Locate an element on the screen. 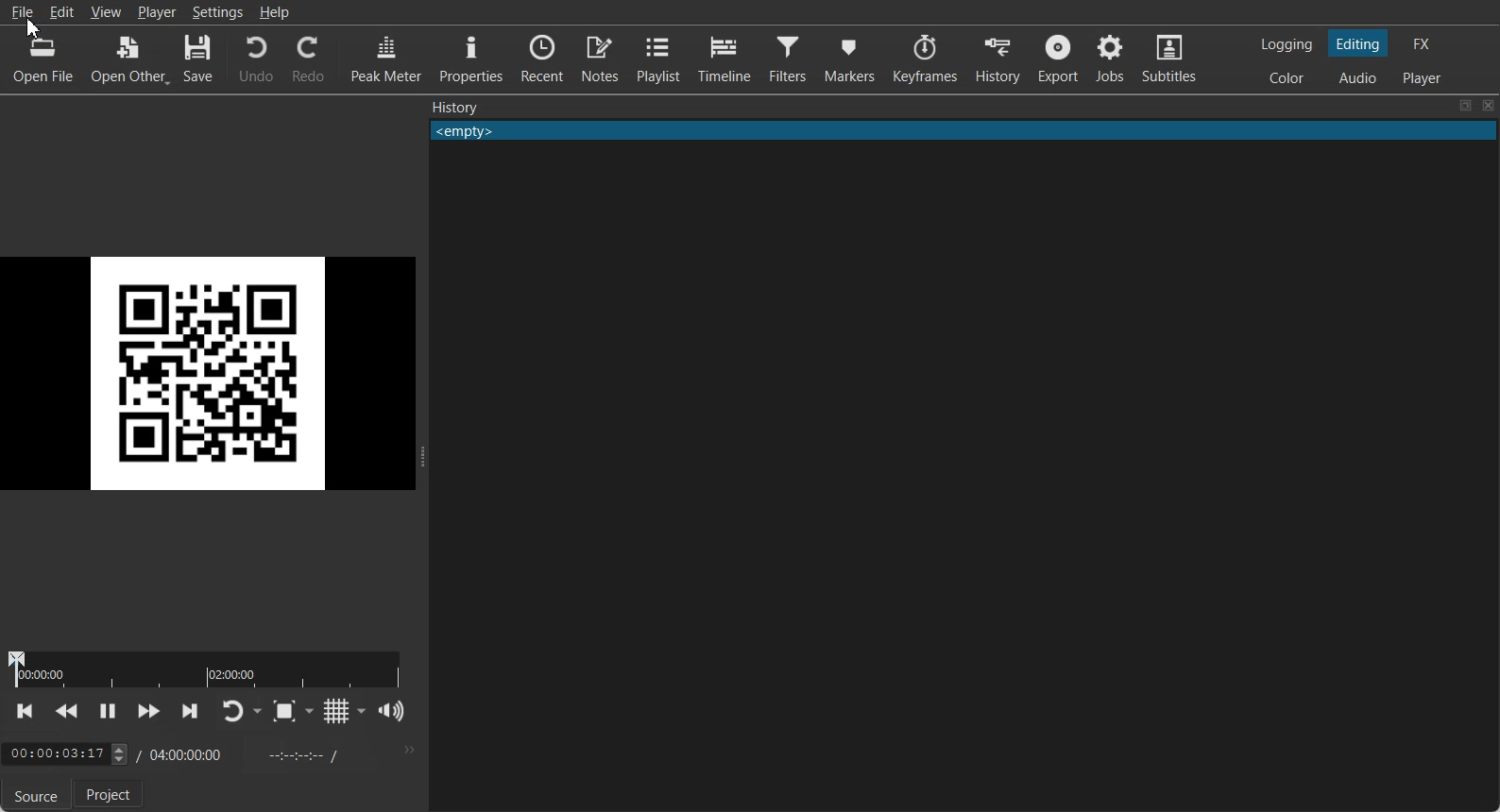 The image size is (1500, 812). Help is located at coordinates (274, 11).